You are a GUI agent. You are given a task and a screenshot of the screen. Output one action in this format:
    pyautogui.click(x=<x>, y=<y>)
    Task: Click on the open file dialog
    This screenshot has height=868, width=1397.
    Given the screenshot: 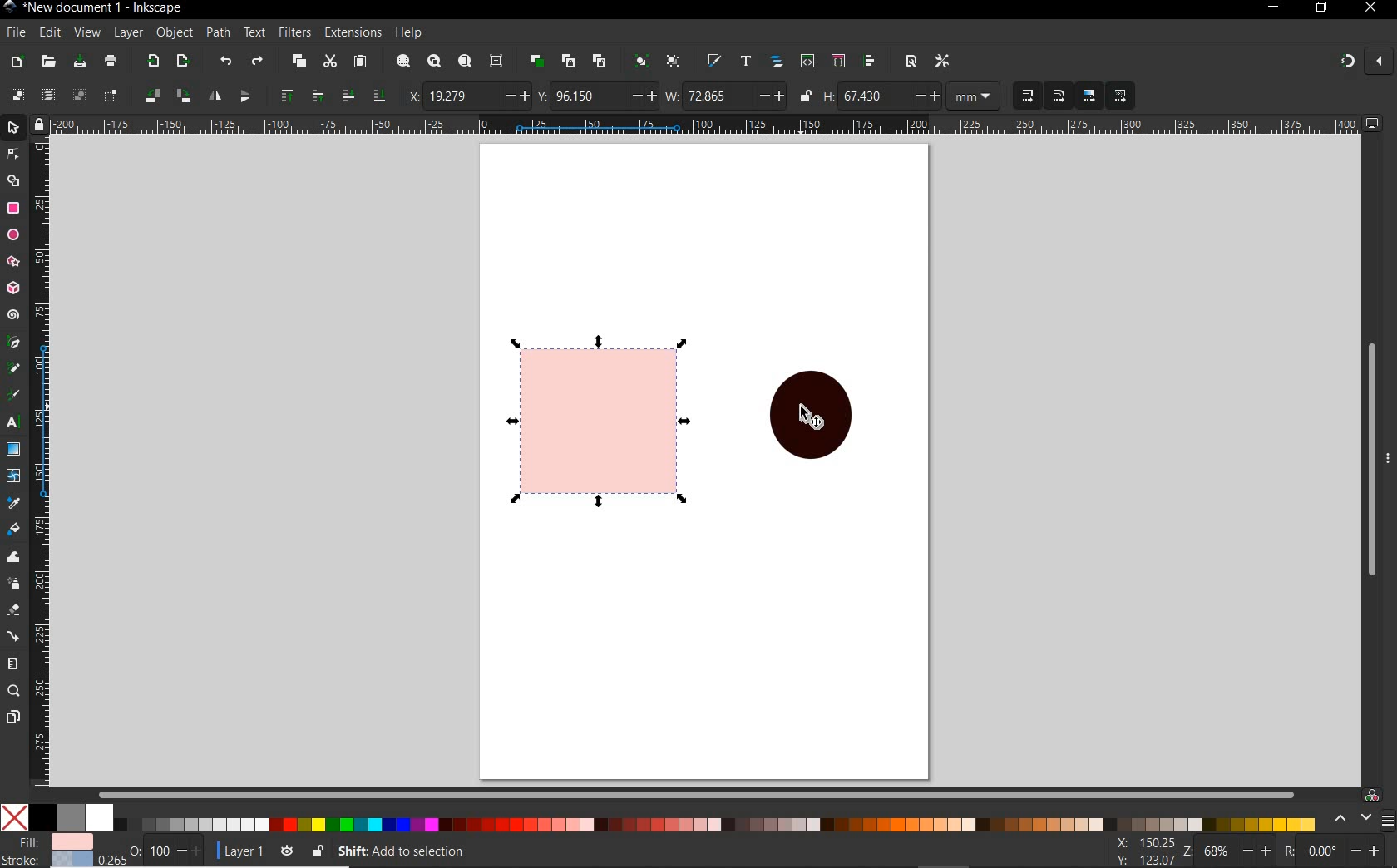 What is the action you would take?
    pyautogui.click(x=49, y=62)
    